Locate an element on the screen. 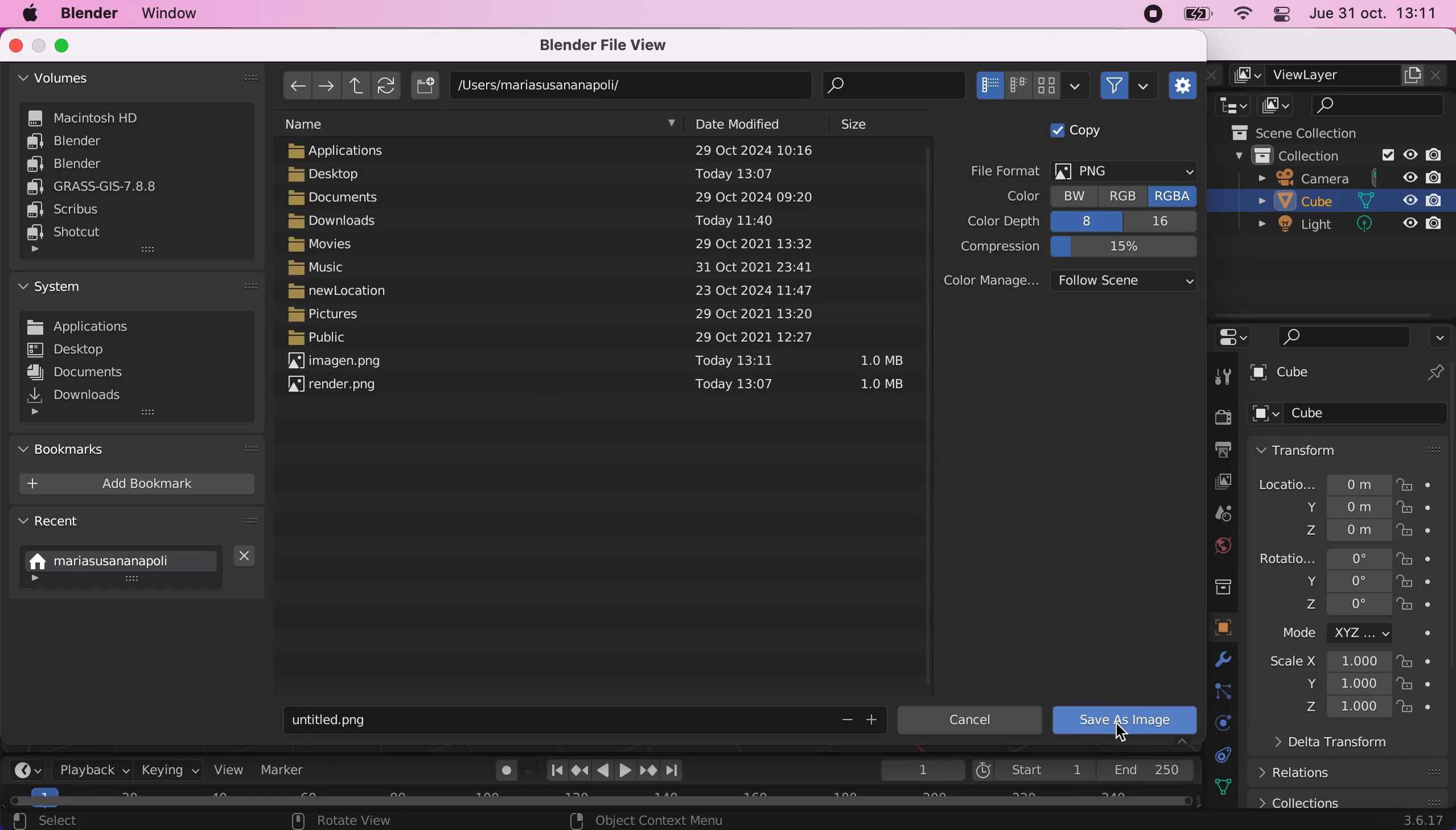 This screenshot has width=1456, height=830. options is located at coordinates (1439, 337).